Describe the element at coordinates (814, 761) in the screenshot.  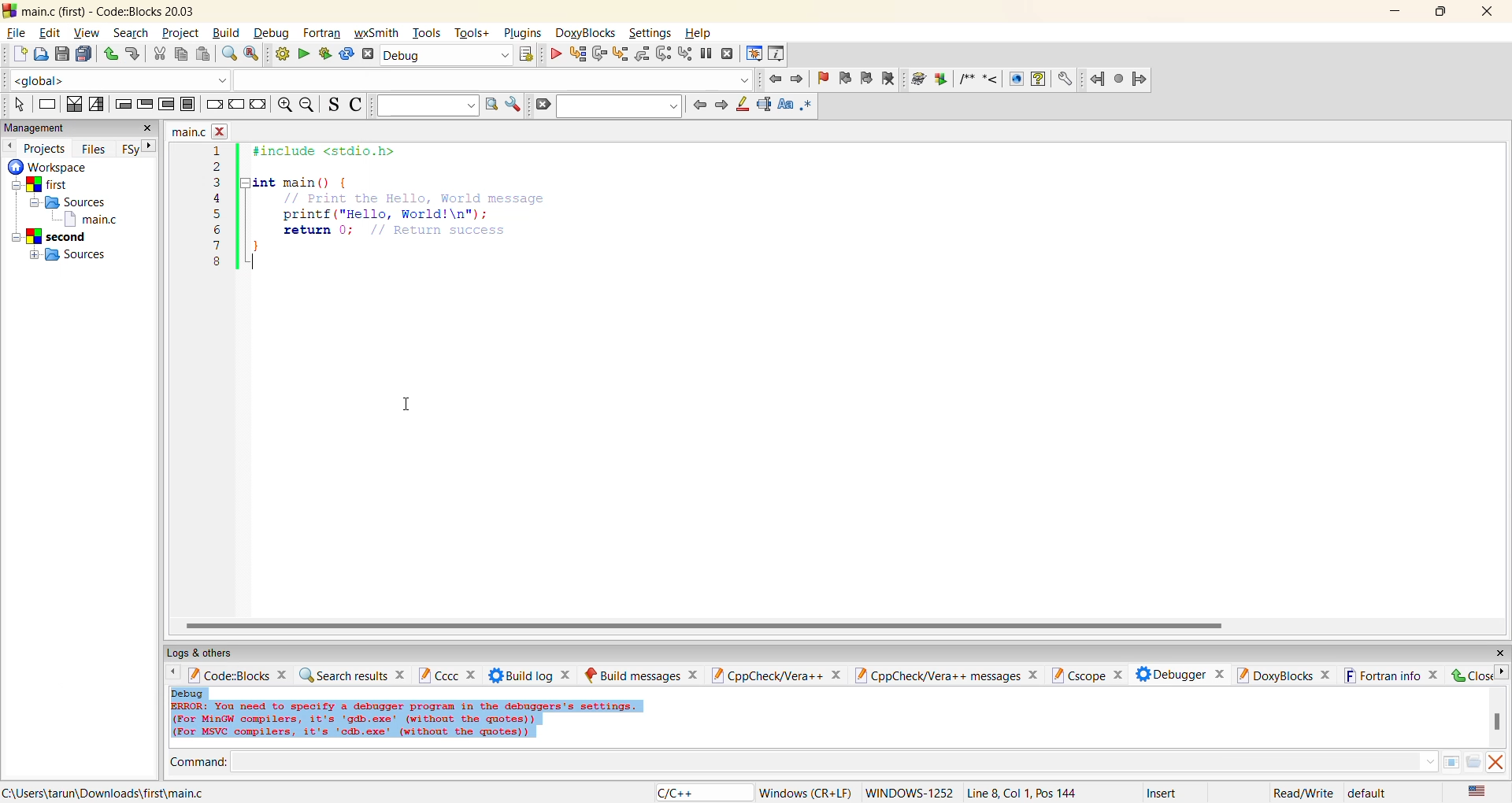
I see `command` at that location.